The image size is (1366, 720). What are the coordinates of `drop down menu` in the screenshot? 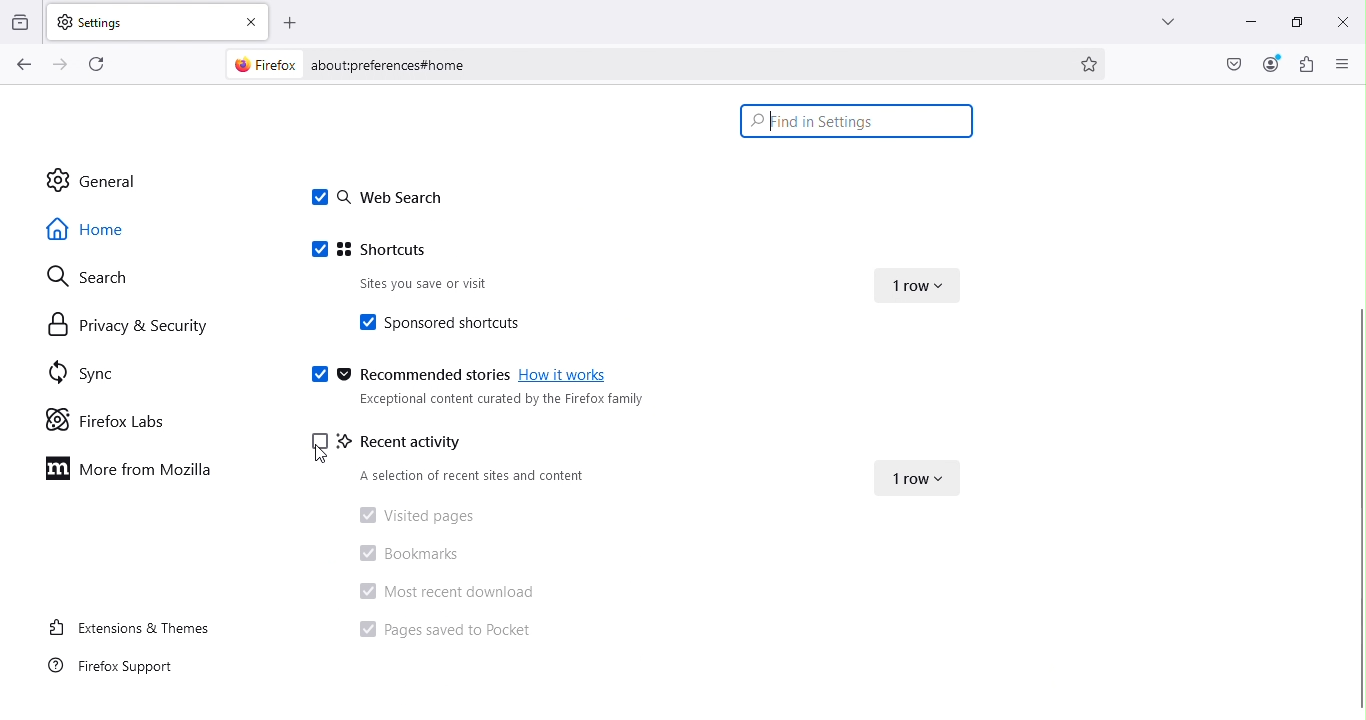 It's located at (921, 475).